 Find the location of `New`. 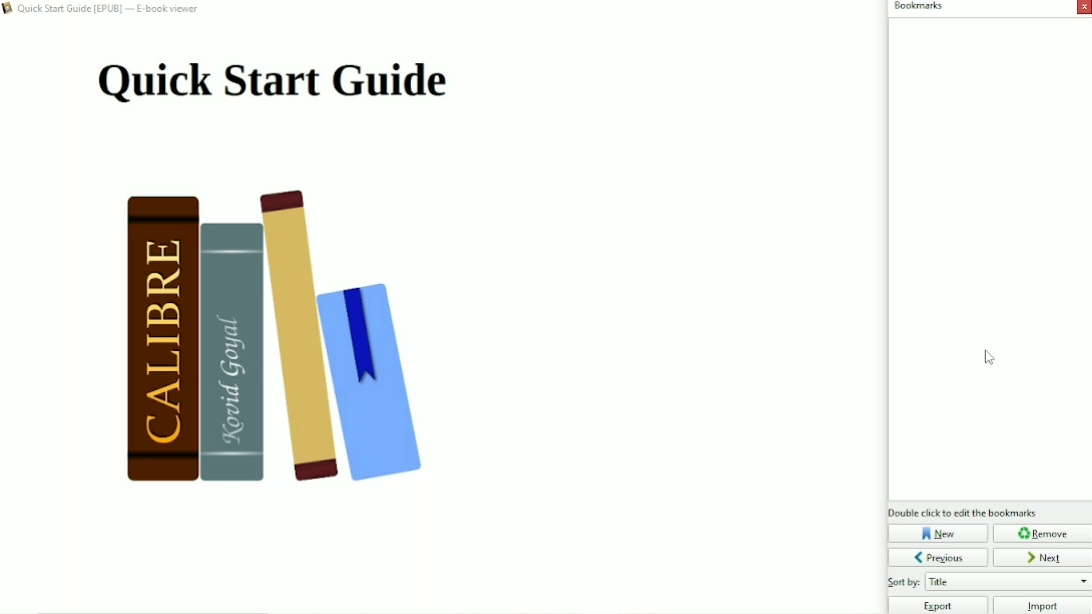

New is located at coordinates (938, 533).